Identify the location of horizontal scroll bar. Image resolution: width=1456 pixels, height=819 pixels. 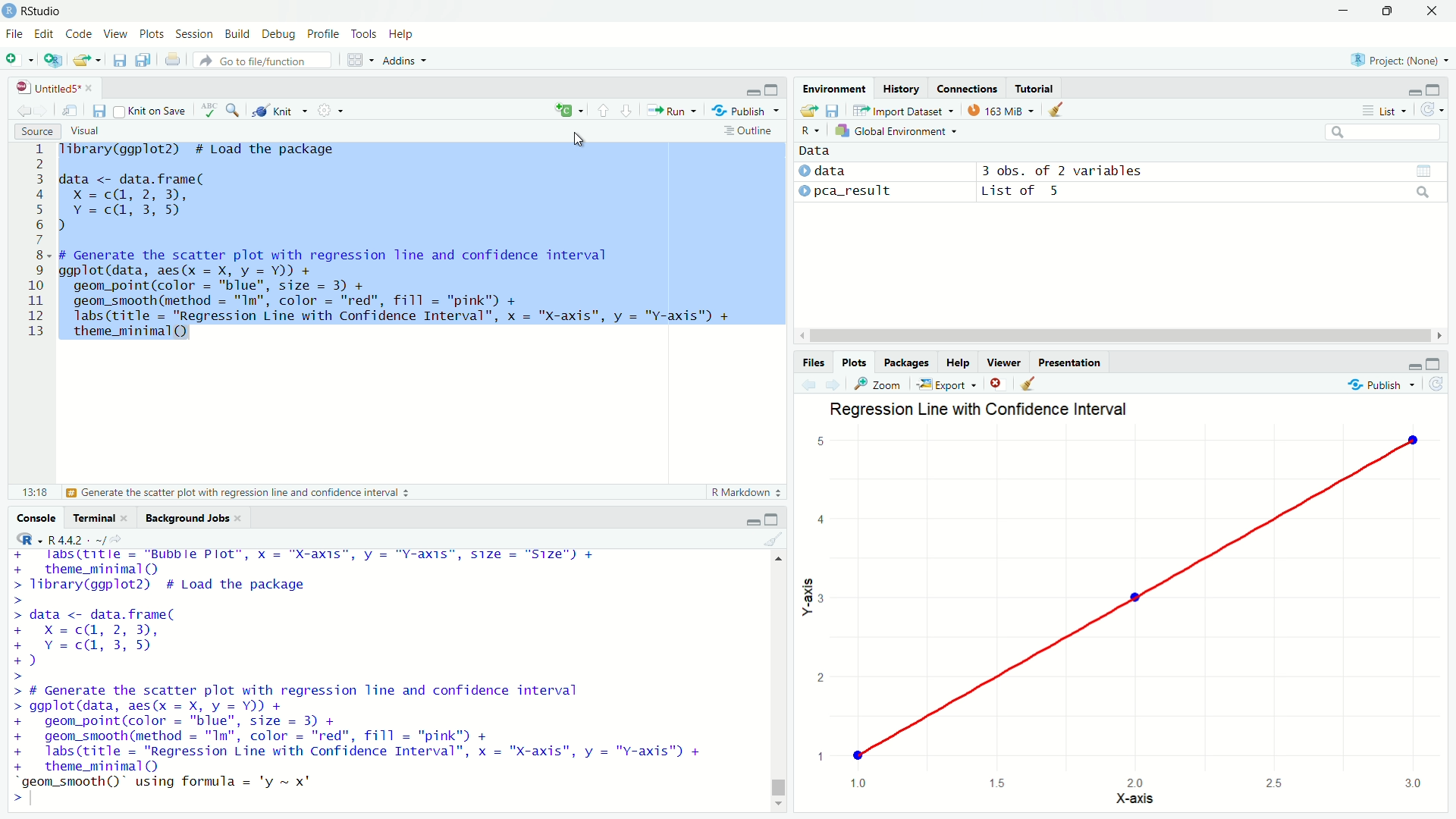
(1121, 336).